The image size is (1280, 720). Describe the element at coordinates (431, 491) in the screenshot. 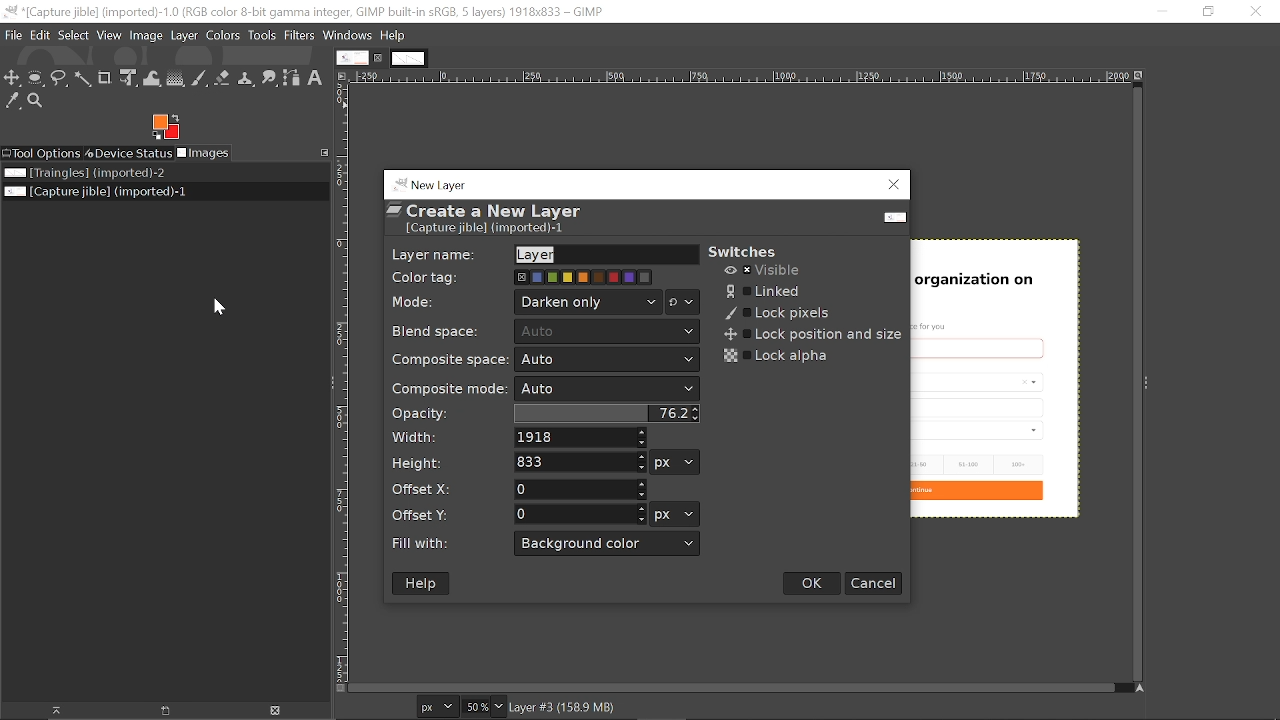

I see `Offset X:` at that location.